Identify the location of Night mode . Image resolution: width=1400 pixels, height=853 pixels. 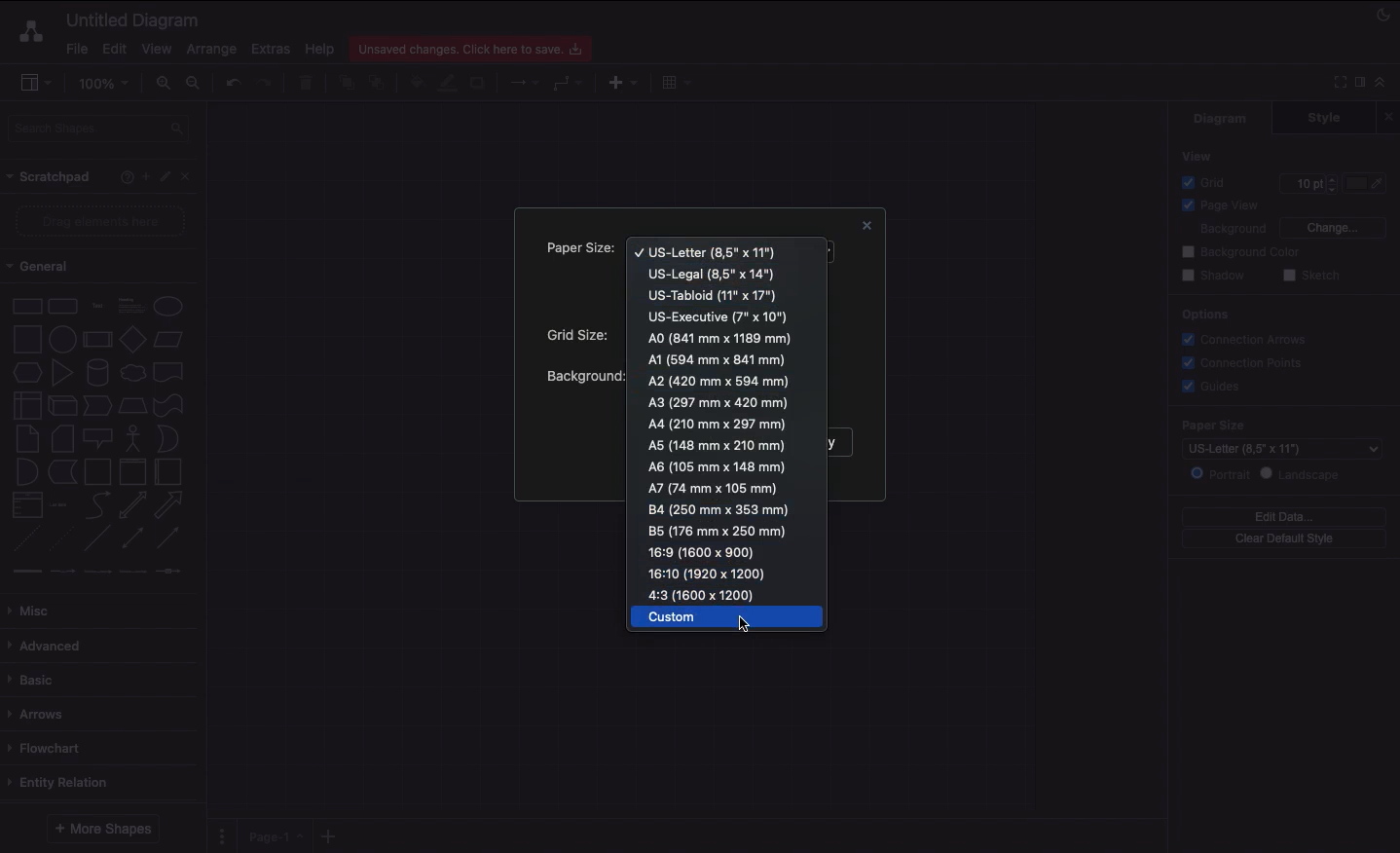
(1384, 13).